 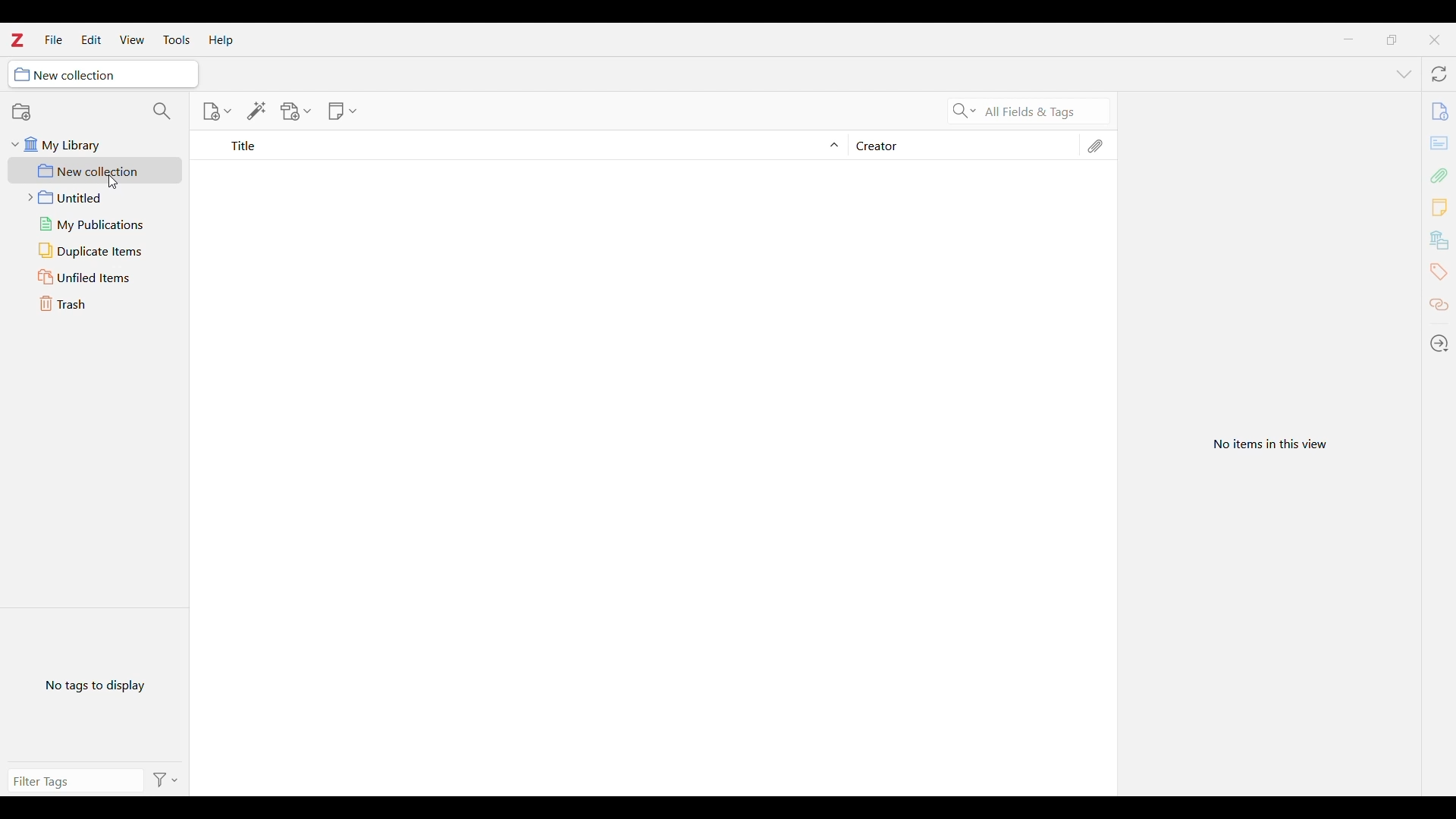 What do you see at coordinates (1439, 111) in the screenshot?
I see `Add new item` at bounding box center [1439, 111].